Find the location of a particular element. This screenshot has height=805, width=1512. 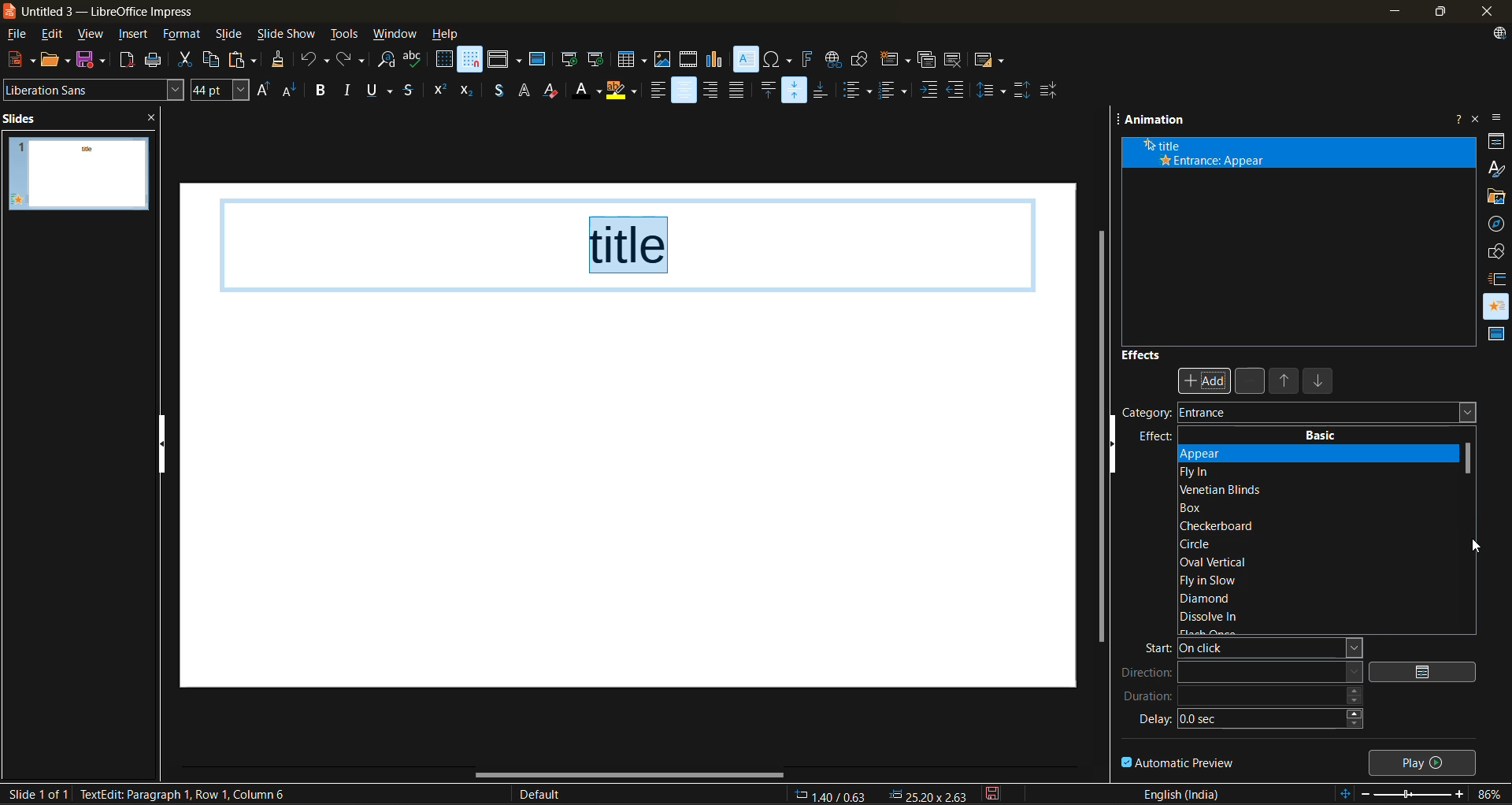

slide is located at coordinates (78, 174).